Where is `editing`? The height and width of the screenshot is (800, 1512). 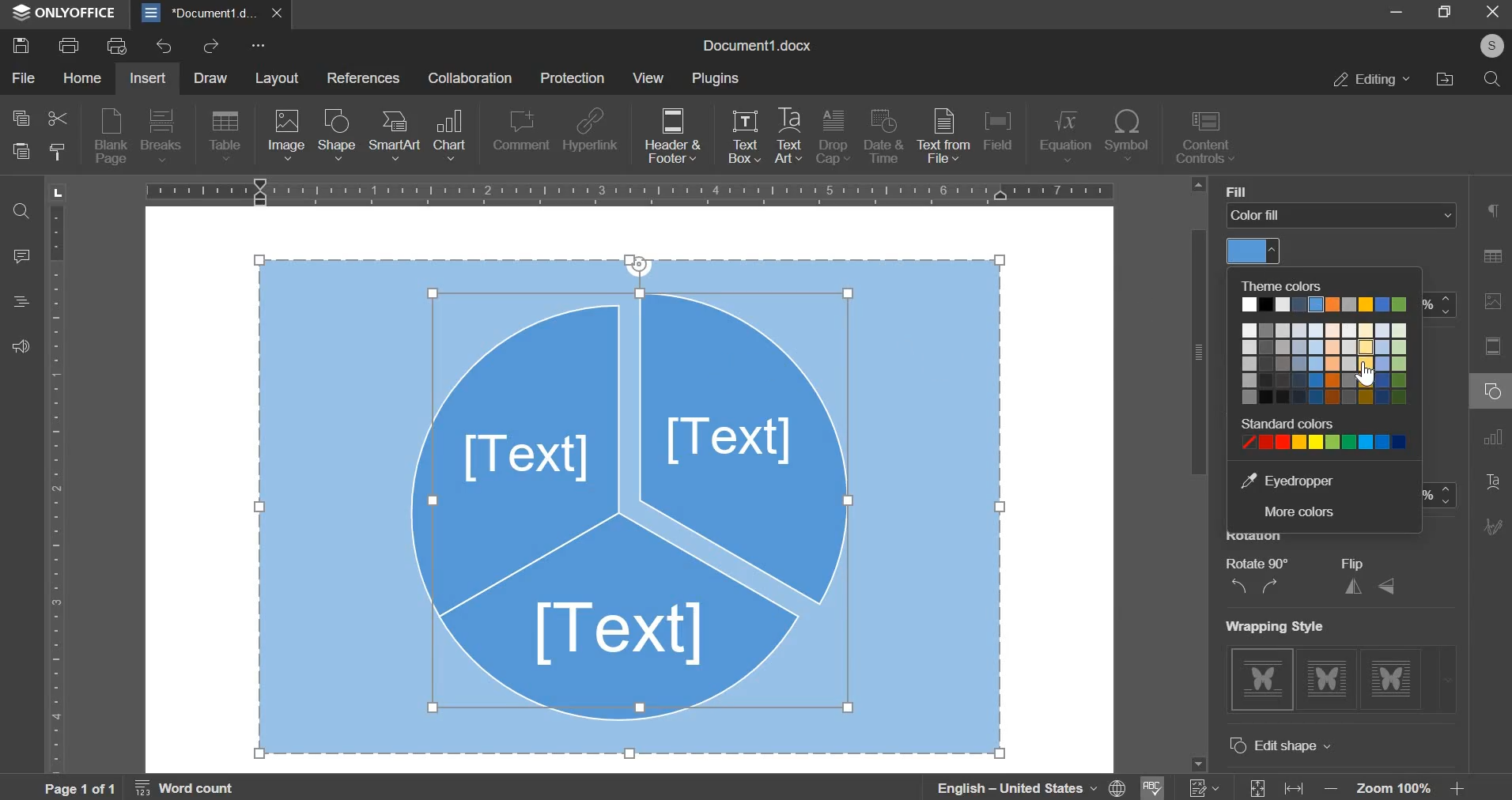
editing is located at coordinates (1369, 77).